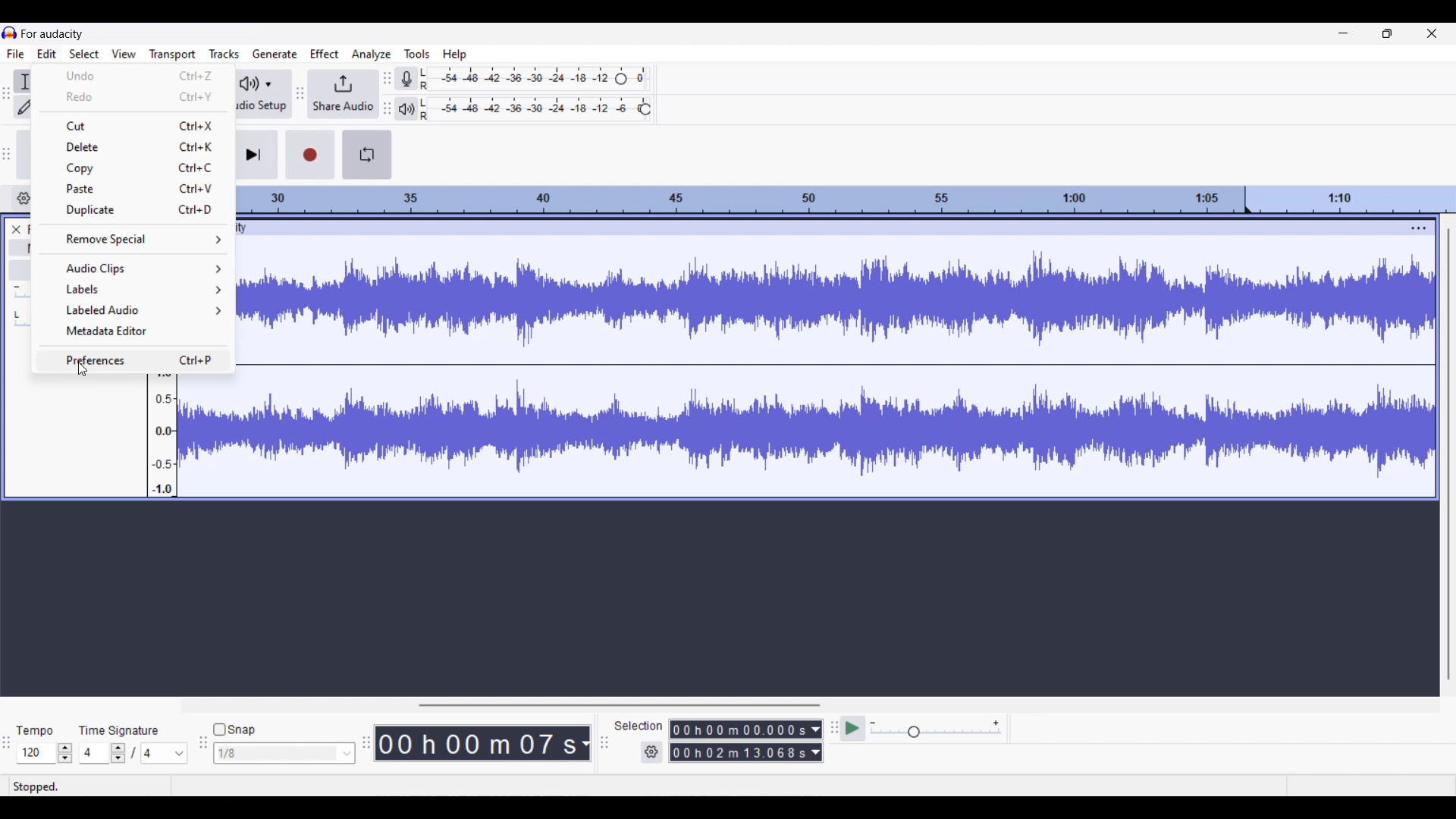  Describe the element at coordinates (284, 752) in the screenshot. I see `1/8` at that location.